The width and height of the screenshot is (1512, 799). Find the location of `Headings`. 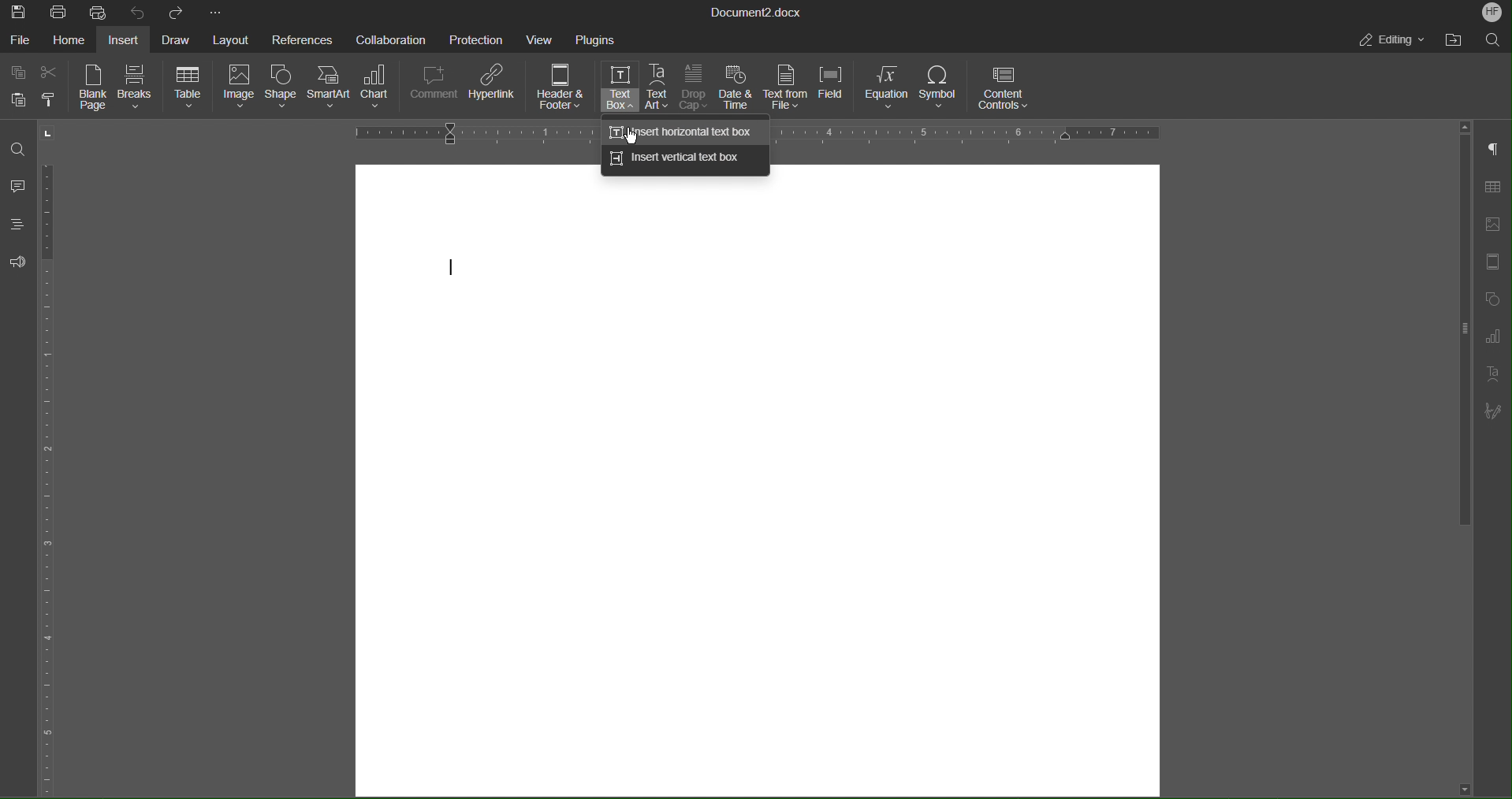

Headings is located at coordinates (16, 224).